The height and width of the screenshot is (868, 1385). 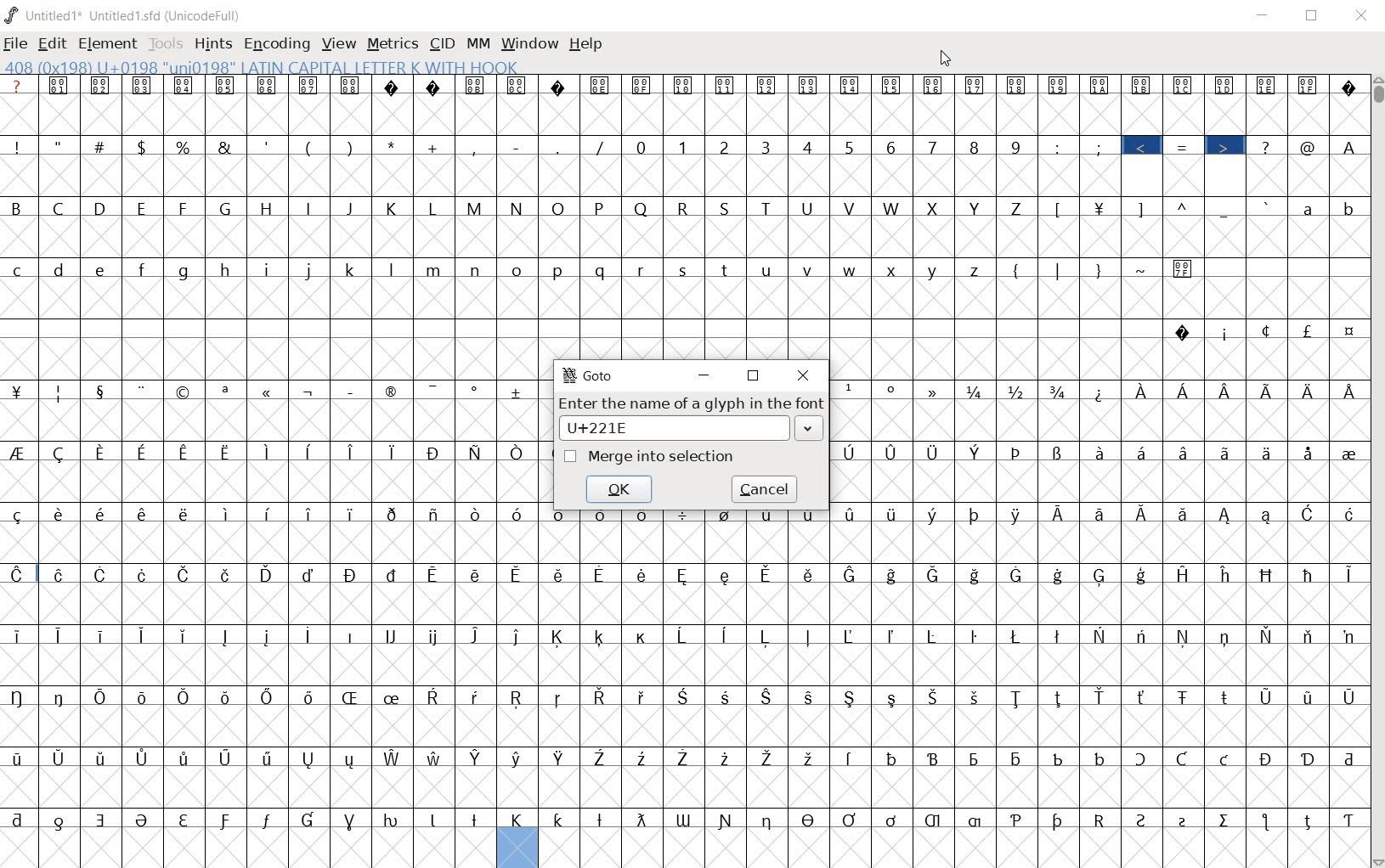 I want to click on encoding, so click(x=277, y=44).